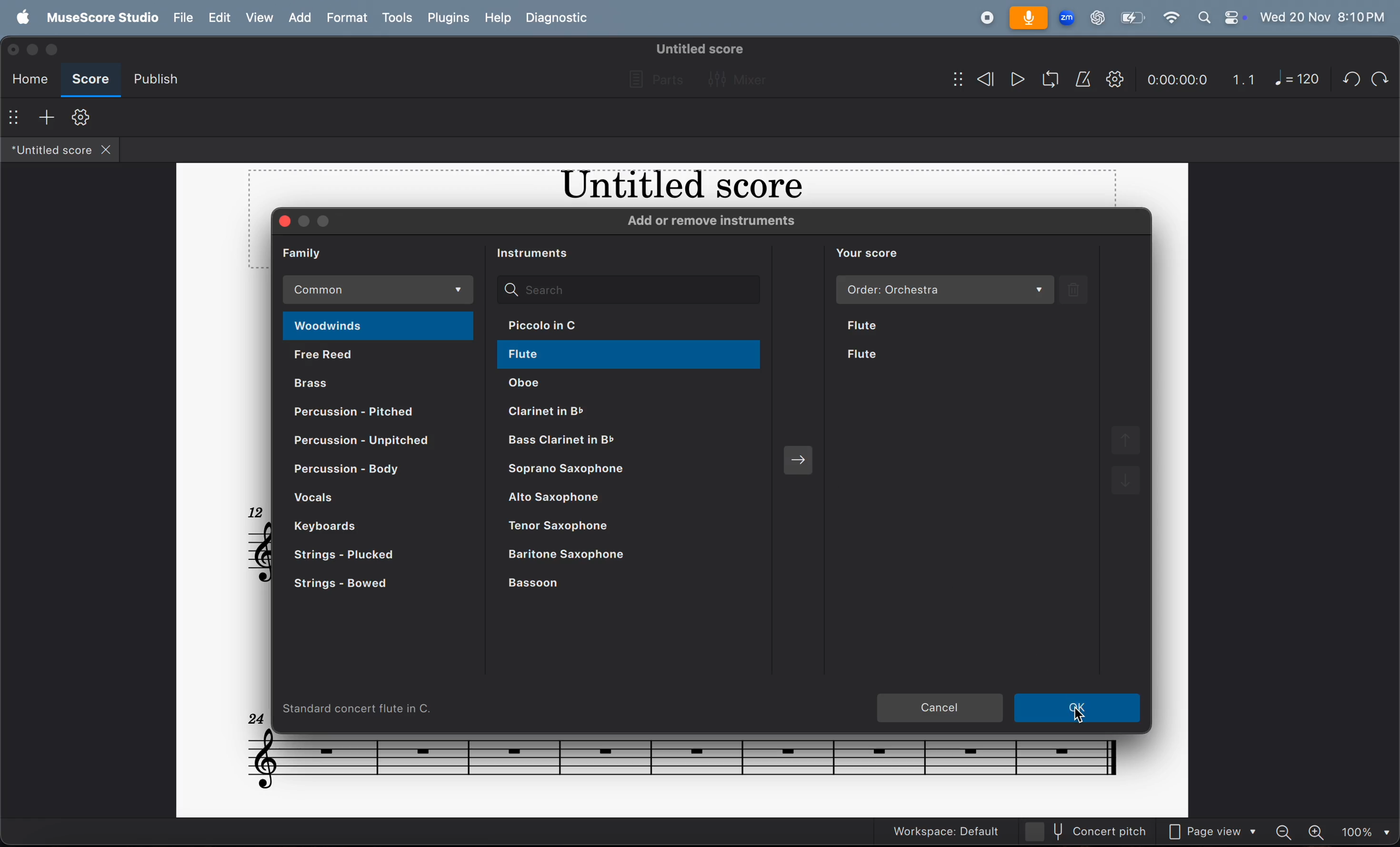  I want to click on play, so click(1014, 78).